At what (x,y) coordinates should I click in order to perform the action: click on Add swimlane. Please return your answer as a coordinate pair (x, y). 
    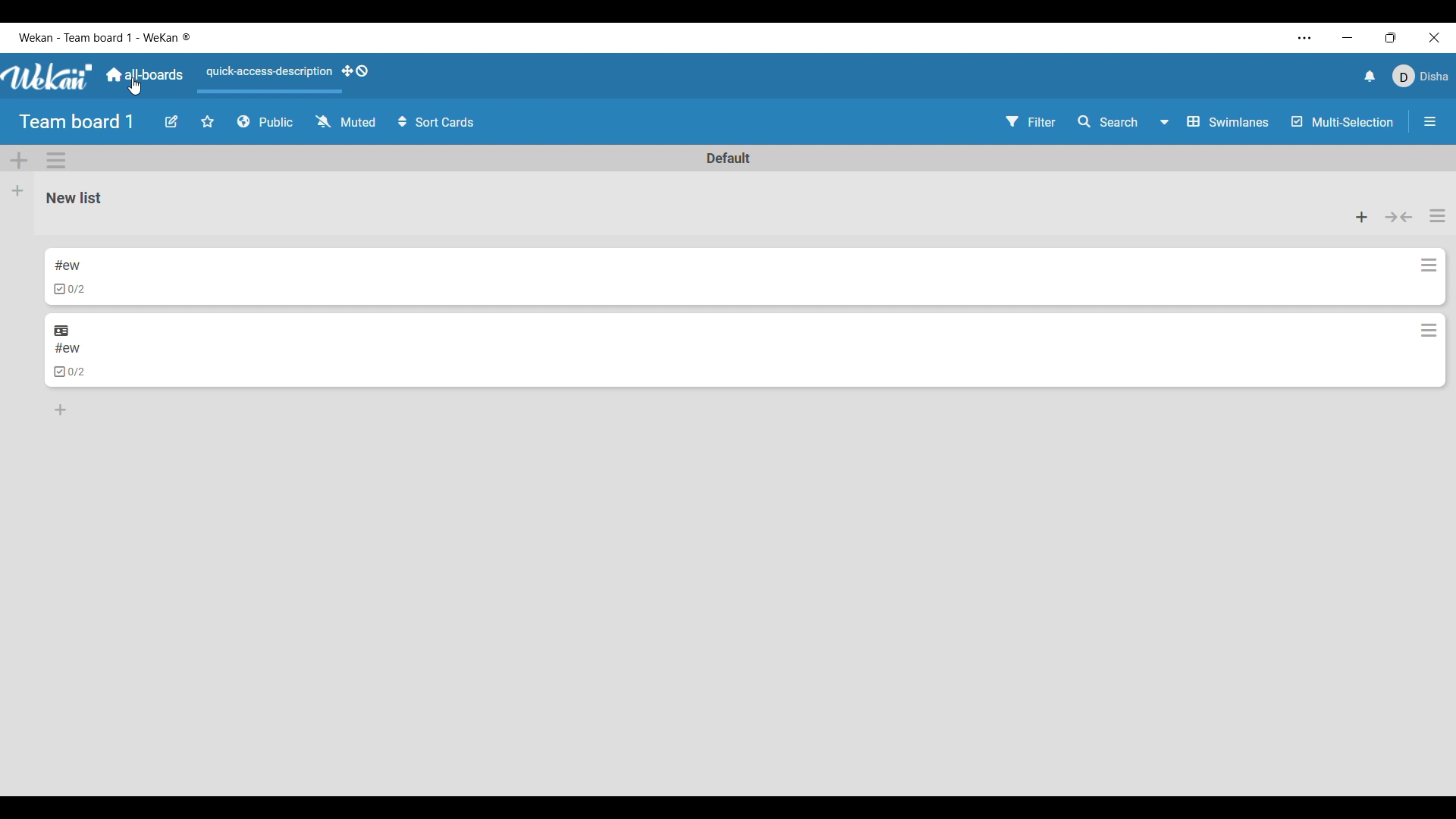
    Looking at the image, I should click on (20, 160).